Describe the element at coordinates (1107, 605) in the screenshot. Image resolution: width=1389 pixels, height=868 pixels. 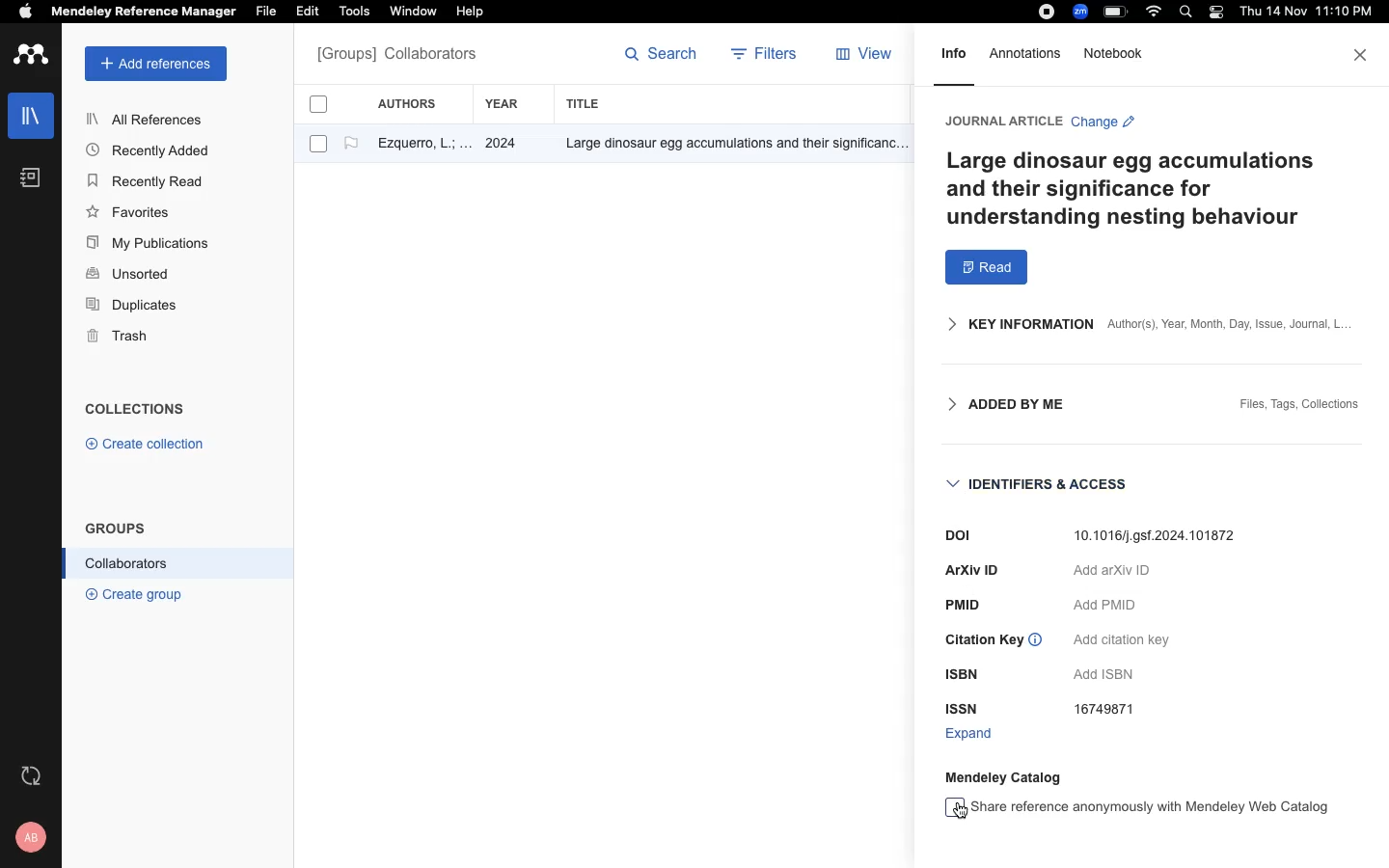
I see `Add PMId` at that location.